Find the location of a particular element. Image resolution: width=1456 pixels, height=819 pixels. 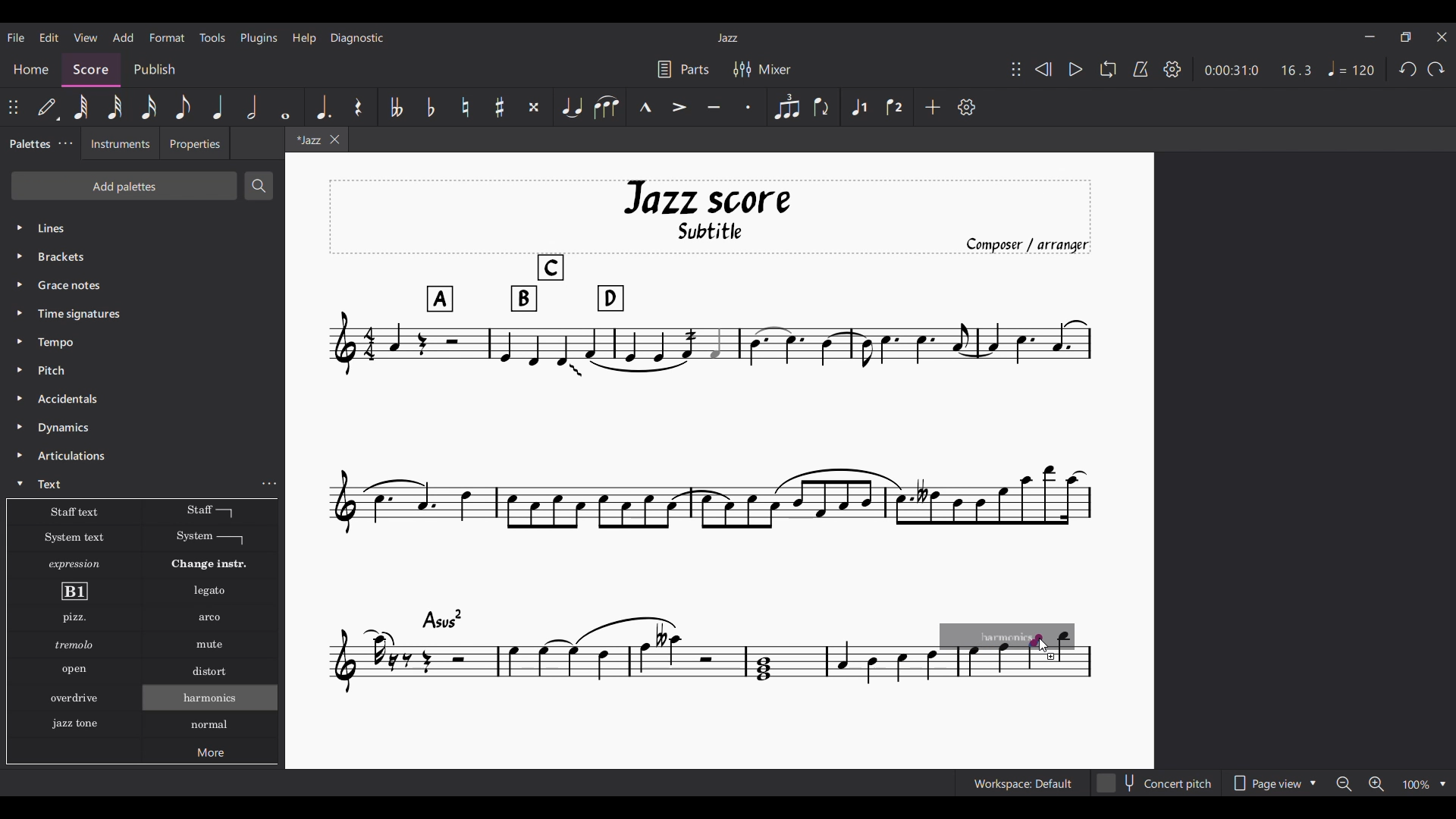

Text options is located at coordinates (72, 512).